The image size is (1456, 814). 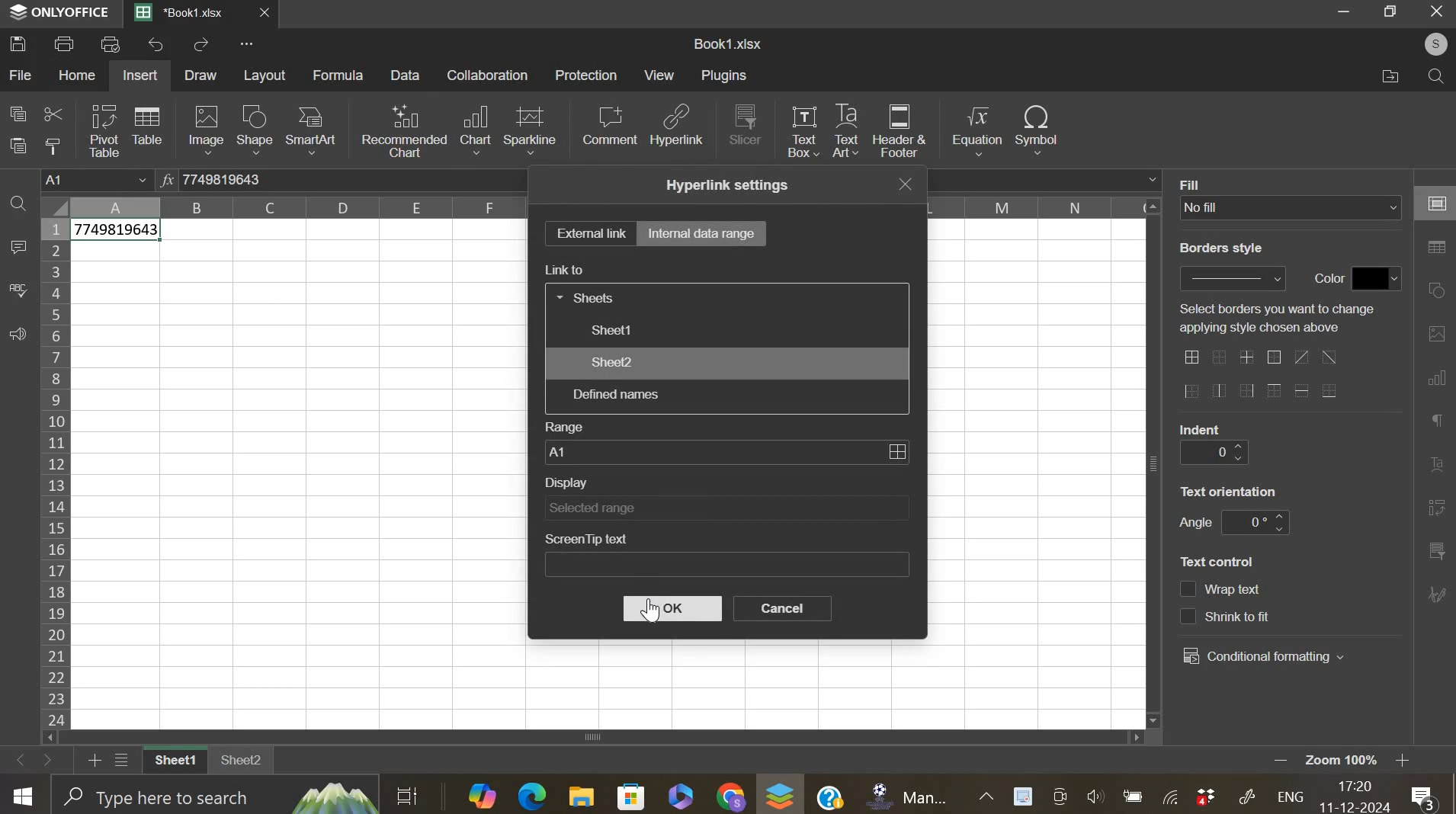 What do you see at coordinates (126, 761) in the screenshot?
I see `list sheets` at bounding box center [126, 761].